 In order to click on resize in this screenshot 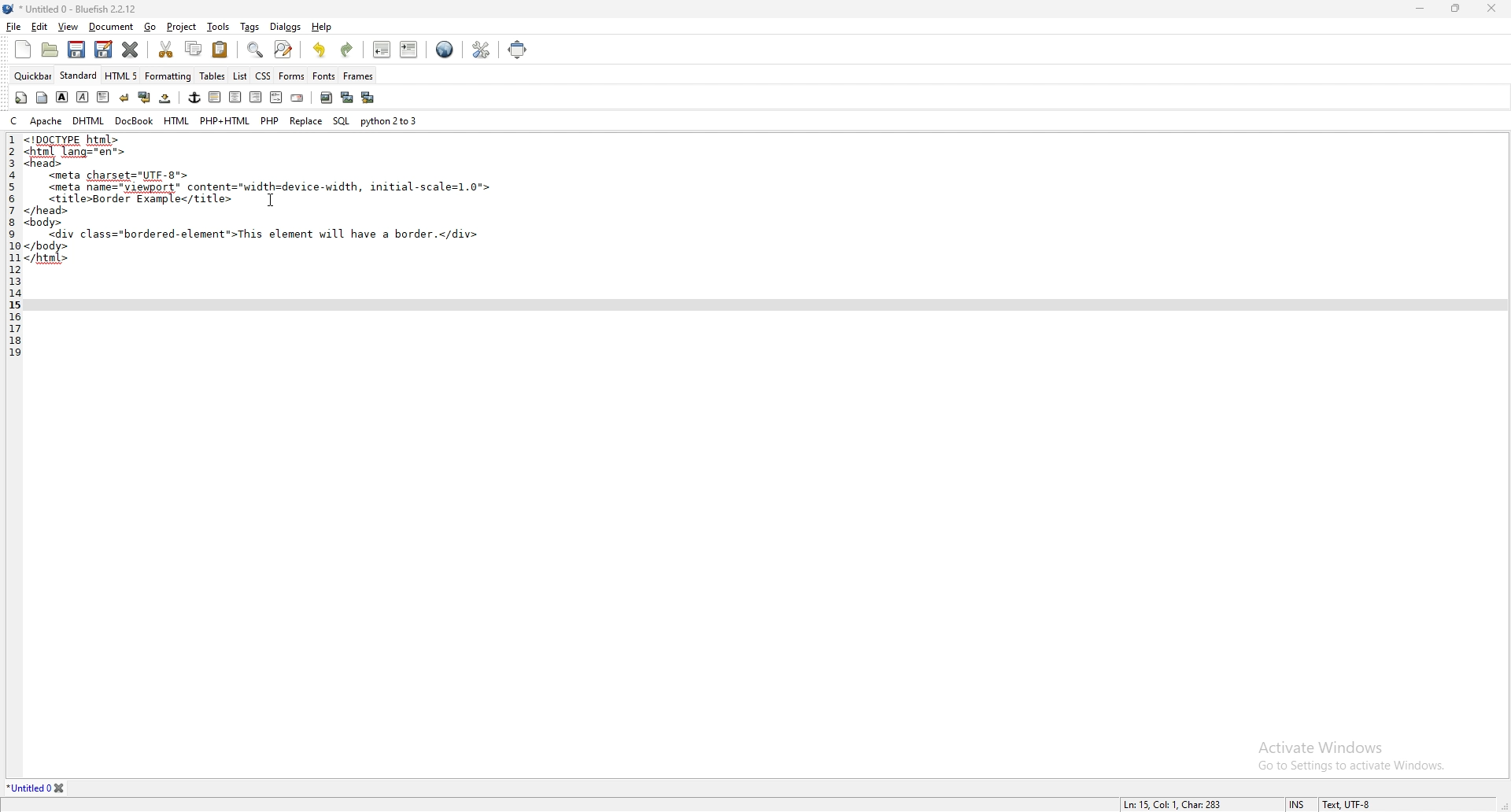, I will do `click(1456, 8)`.